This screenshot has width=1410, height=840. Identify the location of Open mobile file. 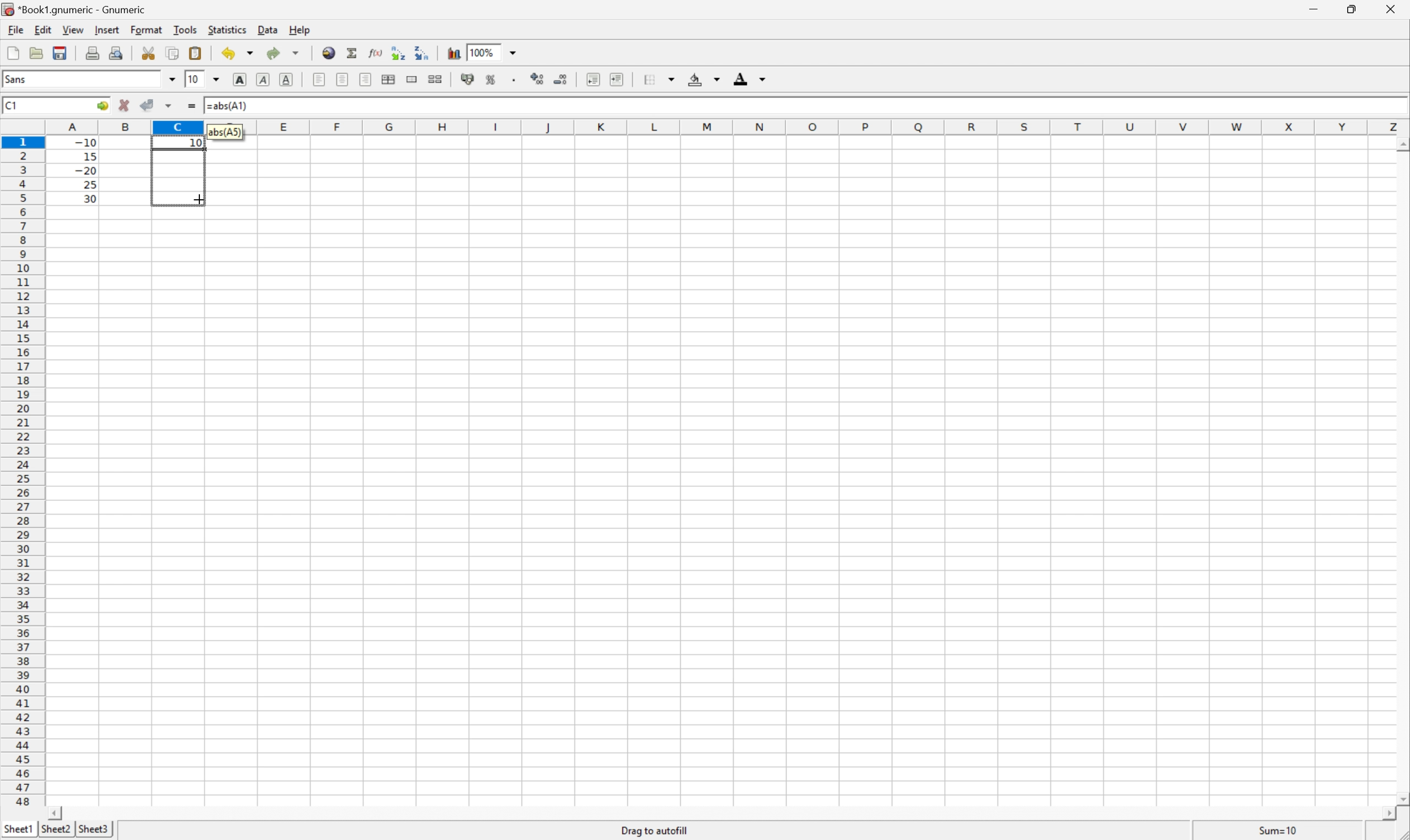
(58, 53).